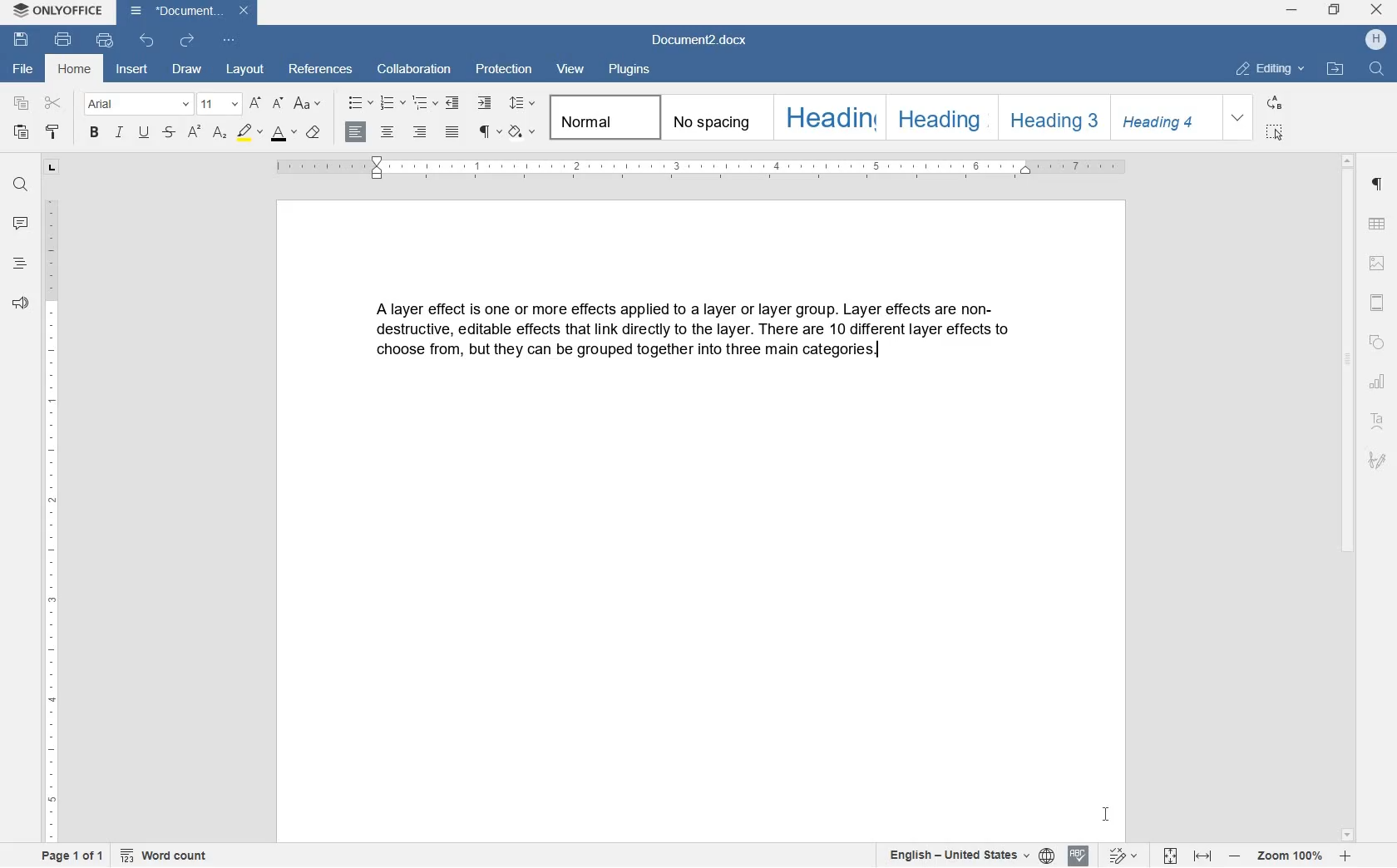 This screenshot has height=868, width=1397. I want to click on ITALIC, so click(119, 132).